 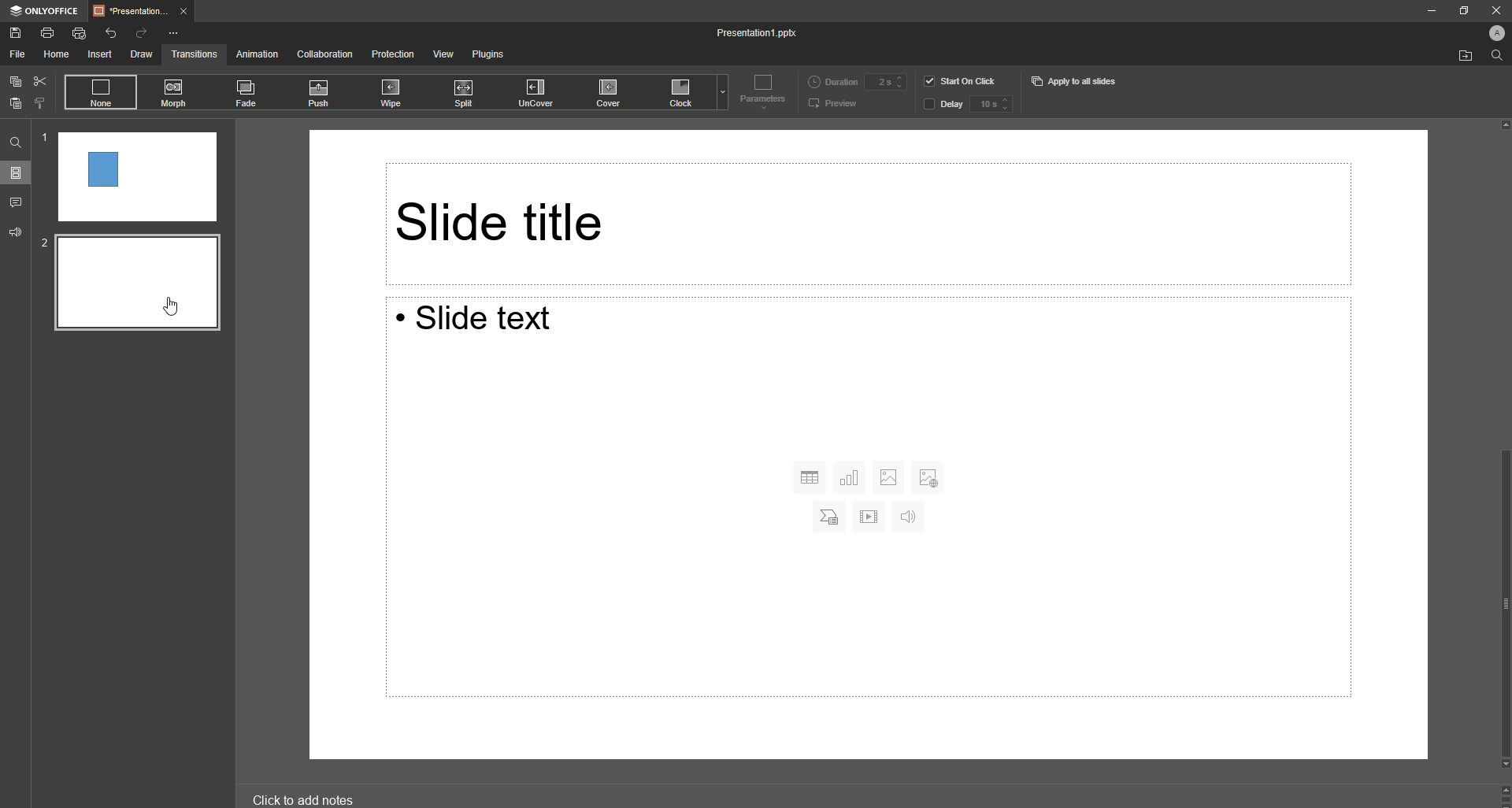 I want to click on Find, so click(x=1497, y=56).